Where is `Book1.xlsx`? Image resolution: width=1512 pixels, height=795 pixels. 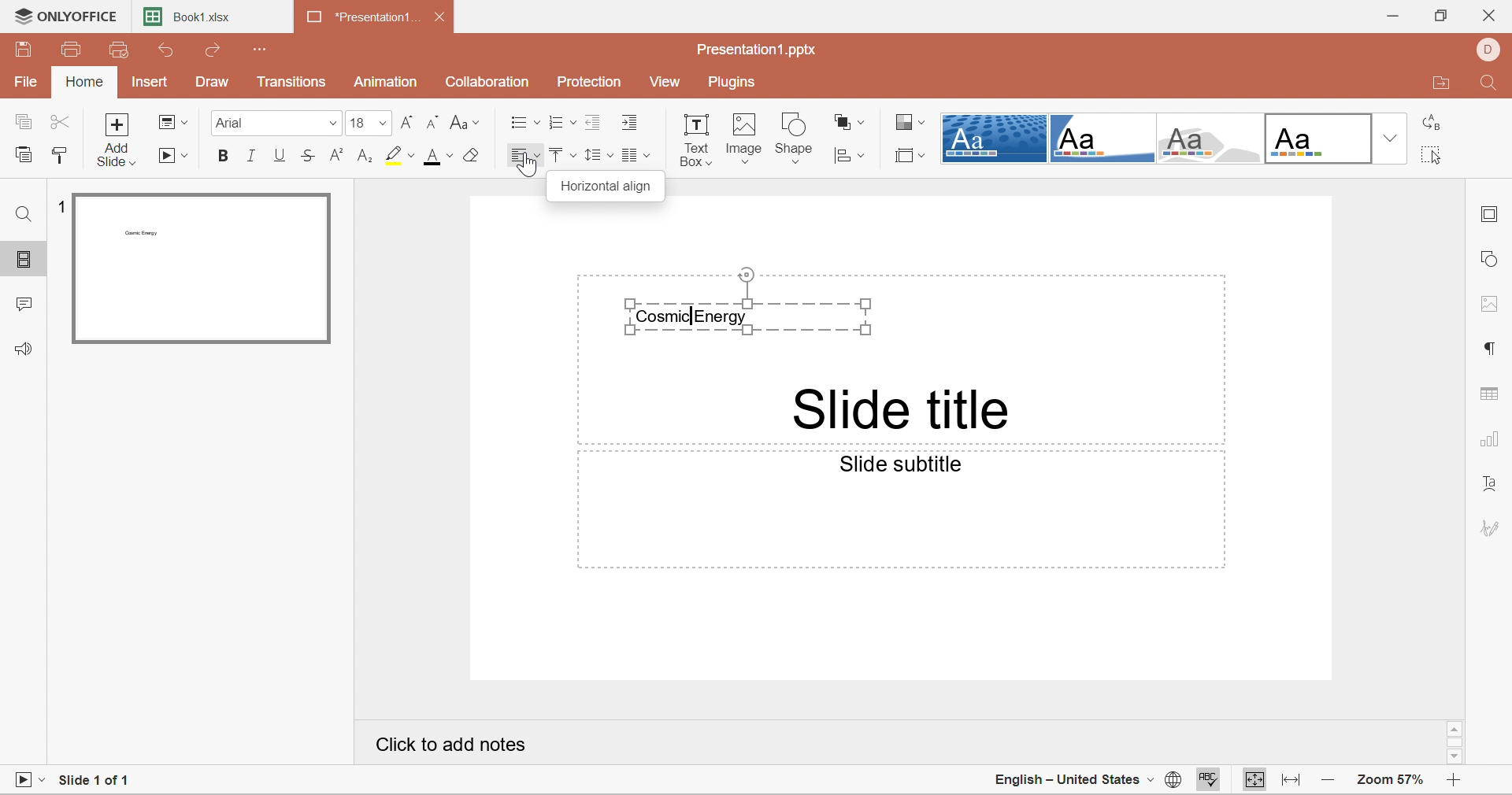
Book1.xlsx is located at coordinates (196, 20).